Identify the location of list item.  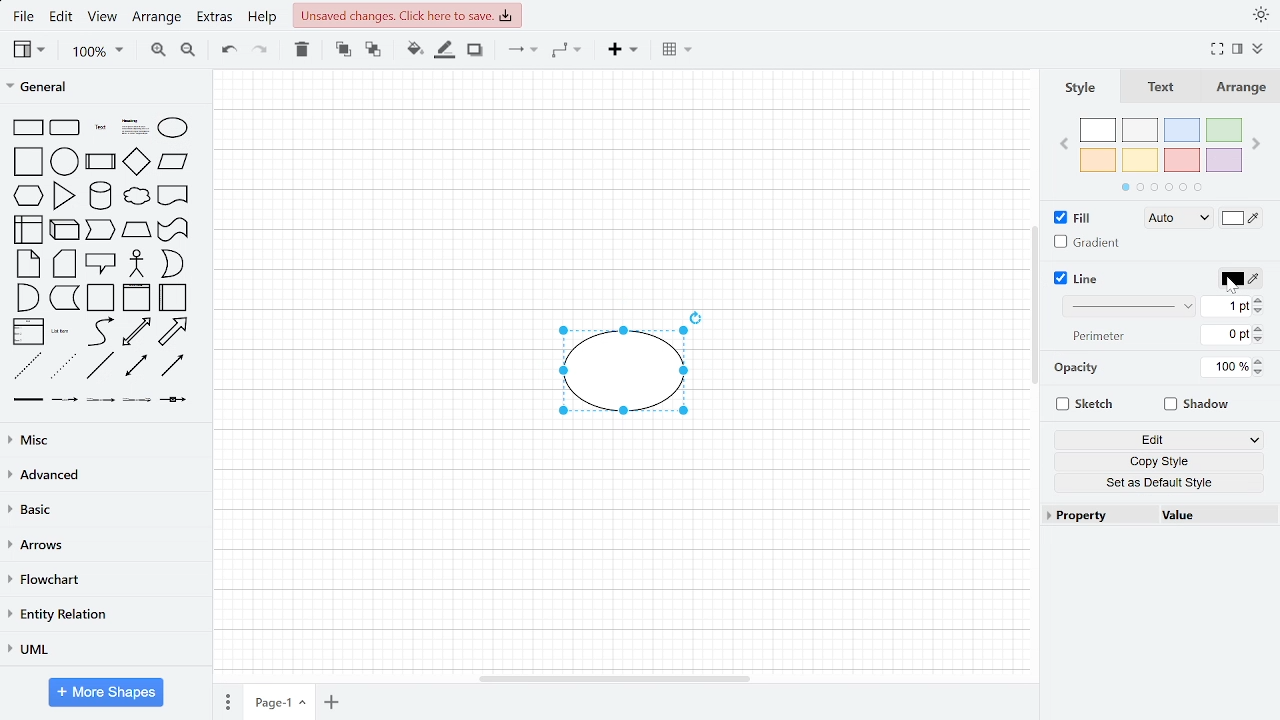
(61, 333).